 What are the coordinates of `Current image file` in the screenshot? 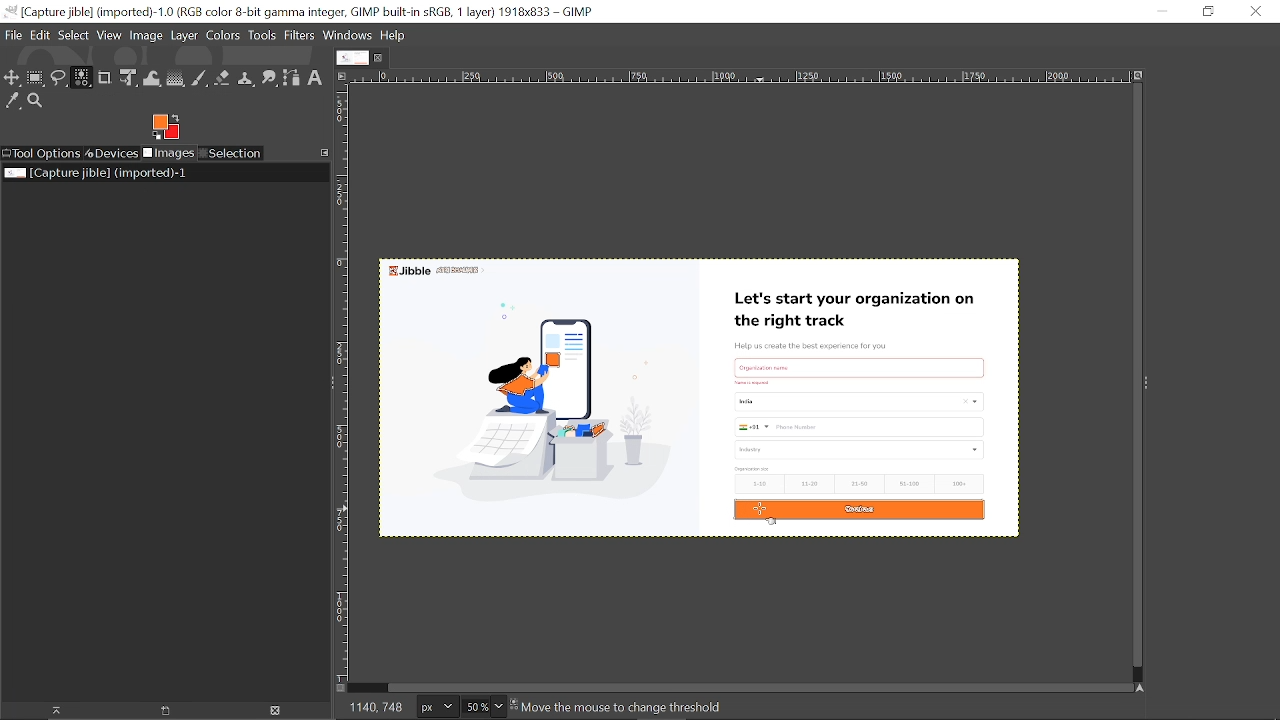 It's located at (97, 172).